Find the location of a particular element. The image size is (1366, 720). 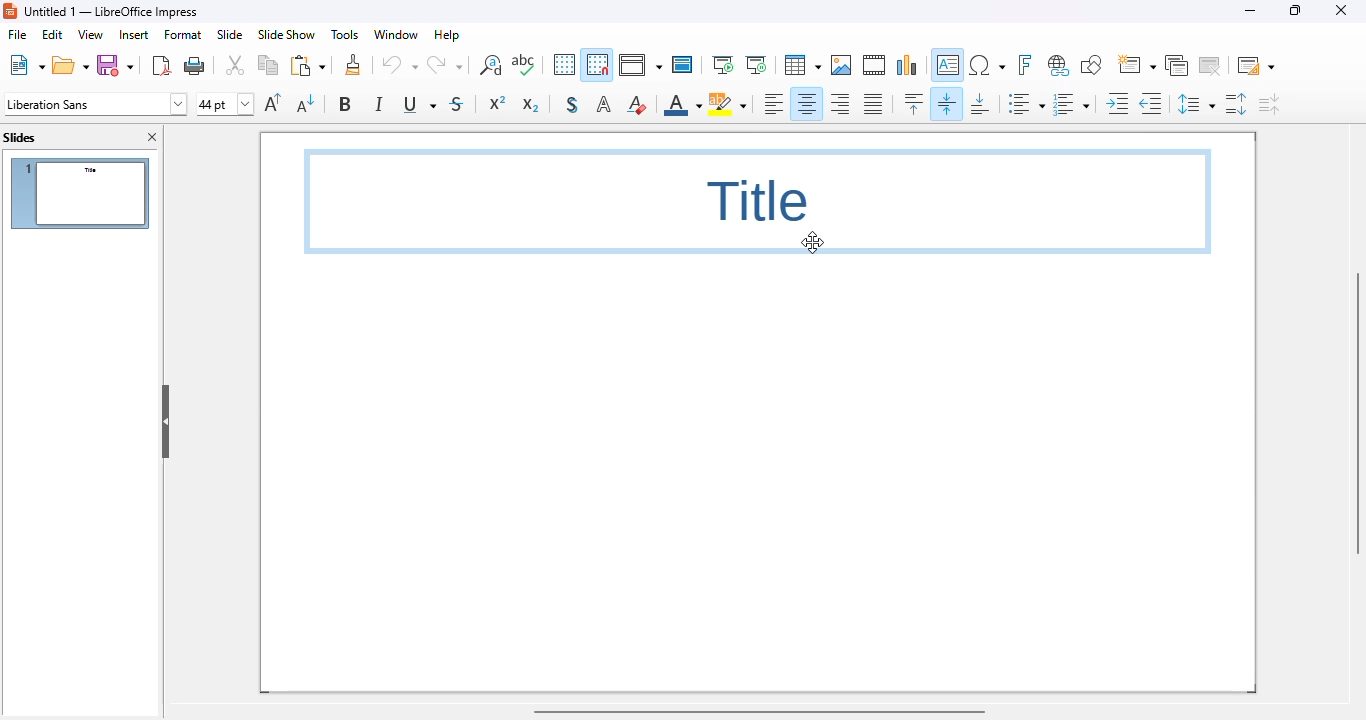

minimize is located at coordinates (1250, 11).